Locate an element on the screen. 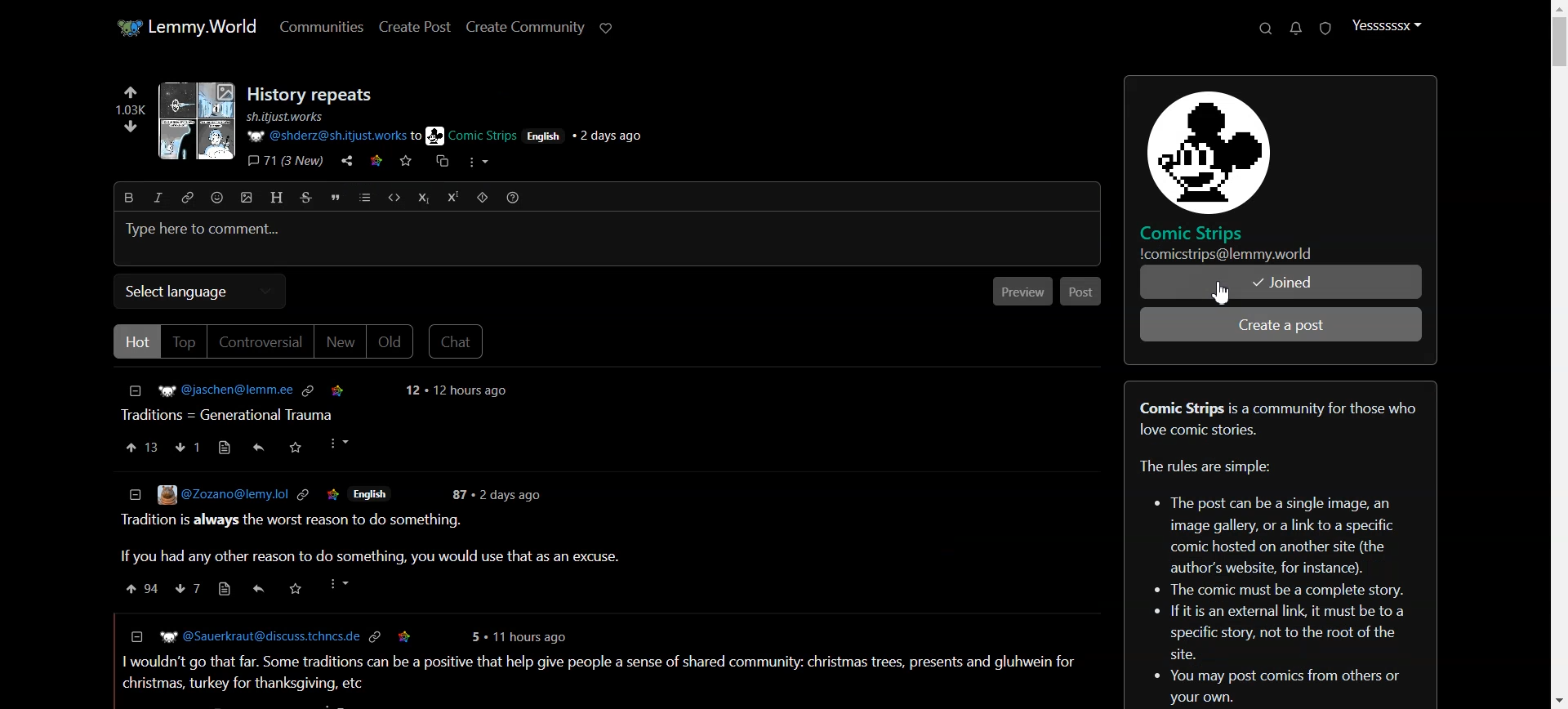 The image size is (1568, 709). Save is located at coordinates (293, 587).